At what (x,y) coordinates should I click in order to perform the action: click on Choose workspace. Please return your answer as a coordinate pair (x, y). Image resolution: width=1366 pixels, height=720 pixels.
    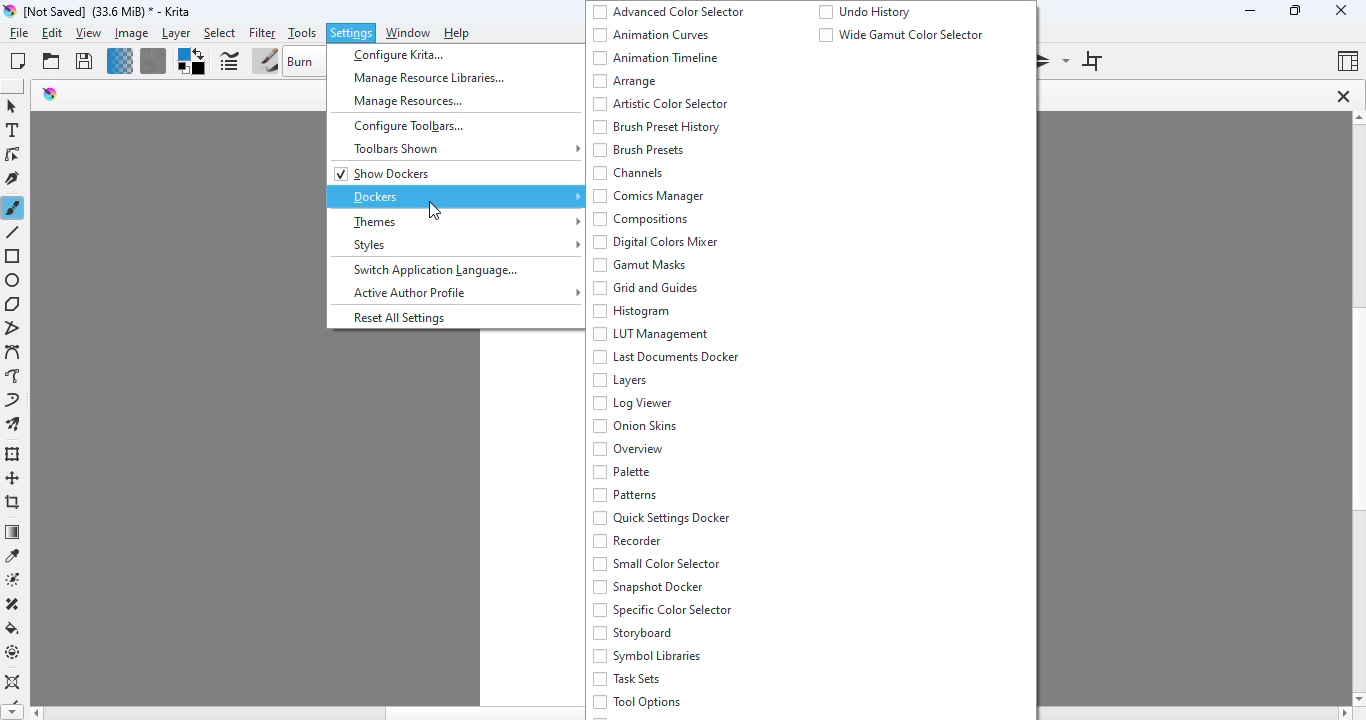
    Looking at the image, I should click on (1348, 60).